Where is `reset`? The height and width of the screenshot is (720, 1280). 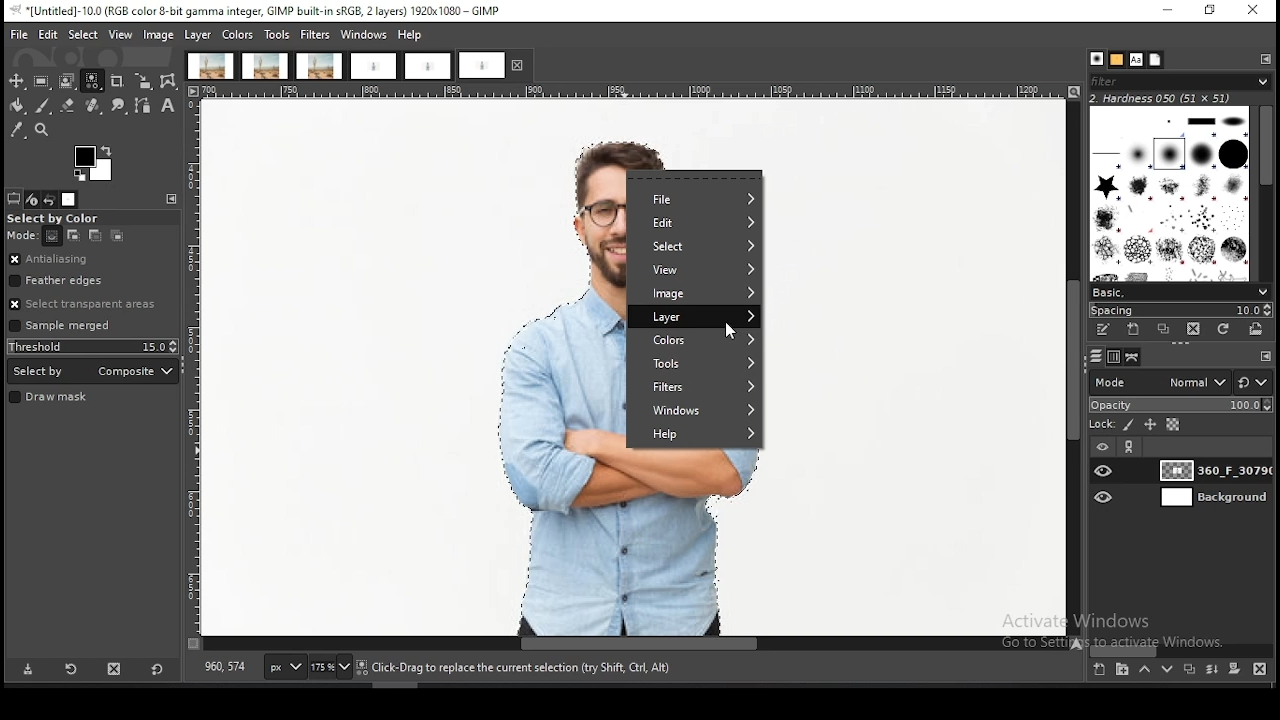
reset is located at coordinates (157, 667).